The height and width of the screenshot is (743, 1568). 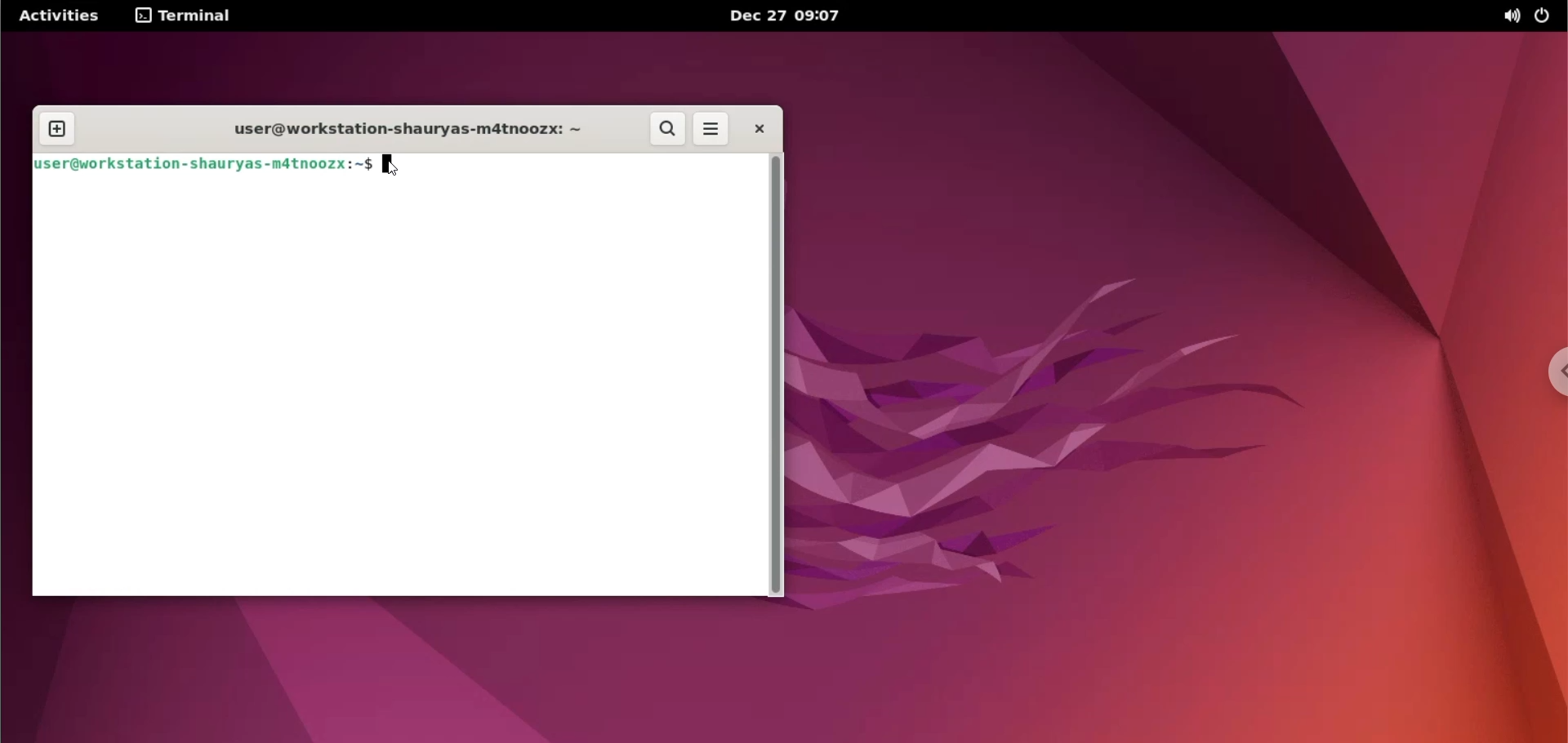 What do you see at coordinates (195, 17) in the screenshot?
I see `Terminal ` at bounding box center [195, 17].